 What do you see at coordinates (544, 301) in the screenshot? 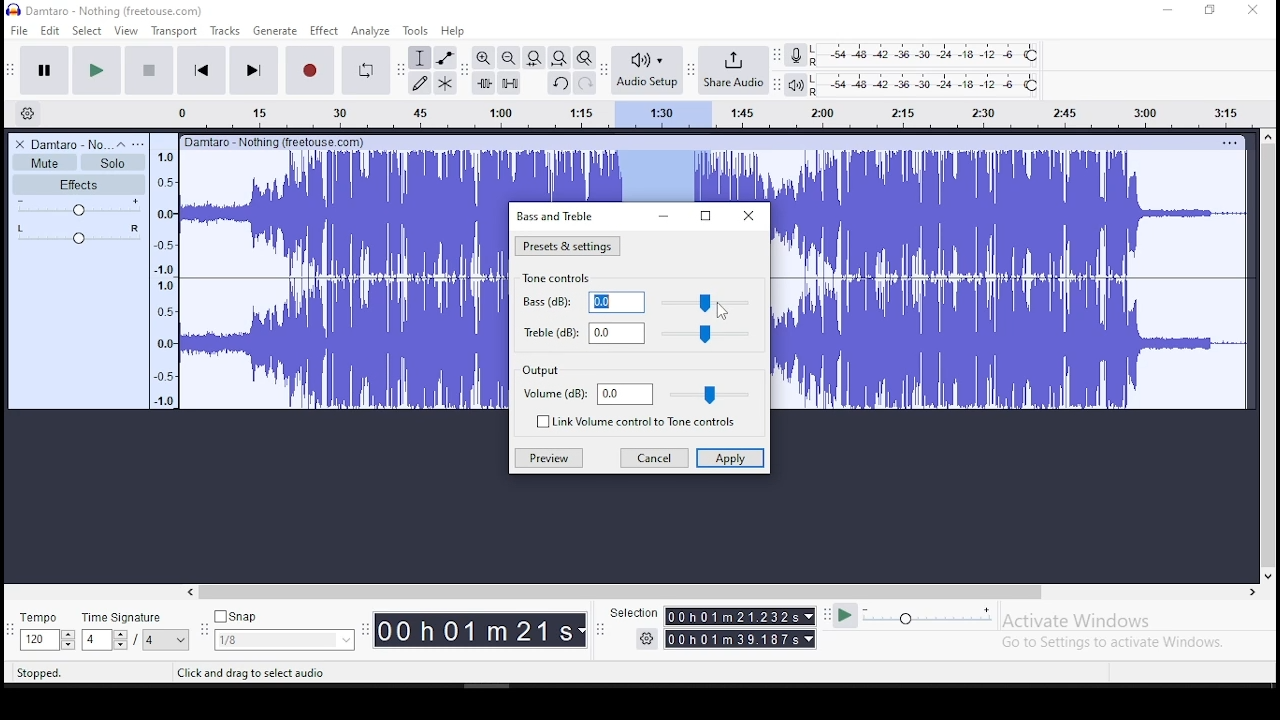
I see `bass(dB)` at bounding box center [544, 301].